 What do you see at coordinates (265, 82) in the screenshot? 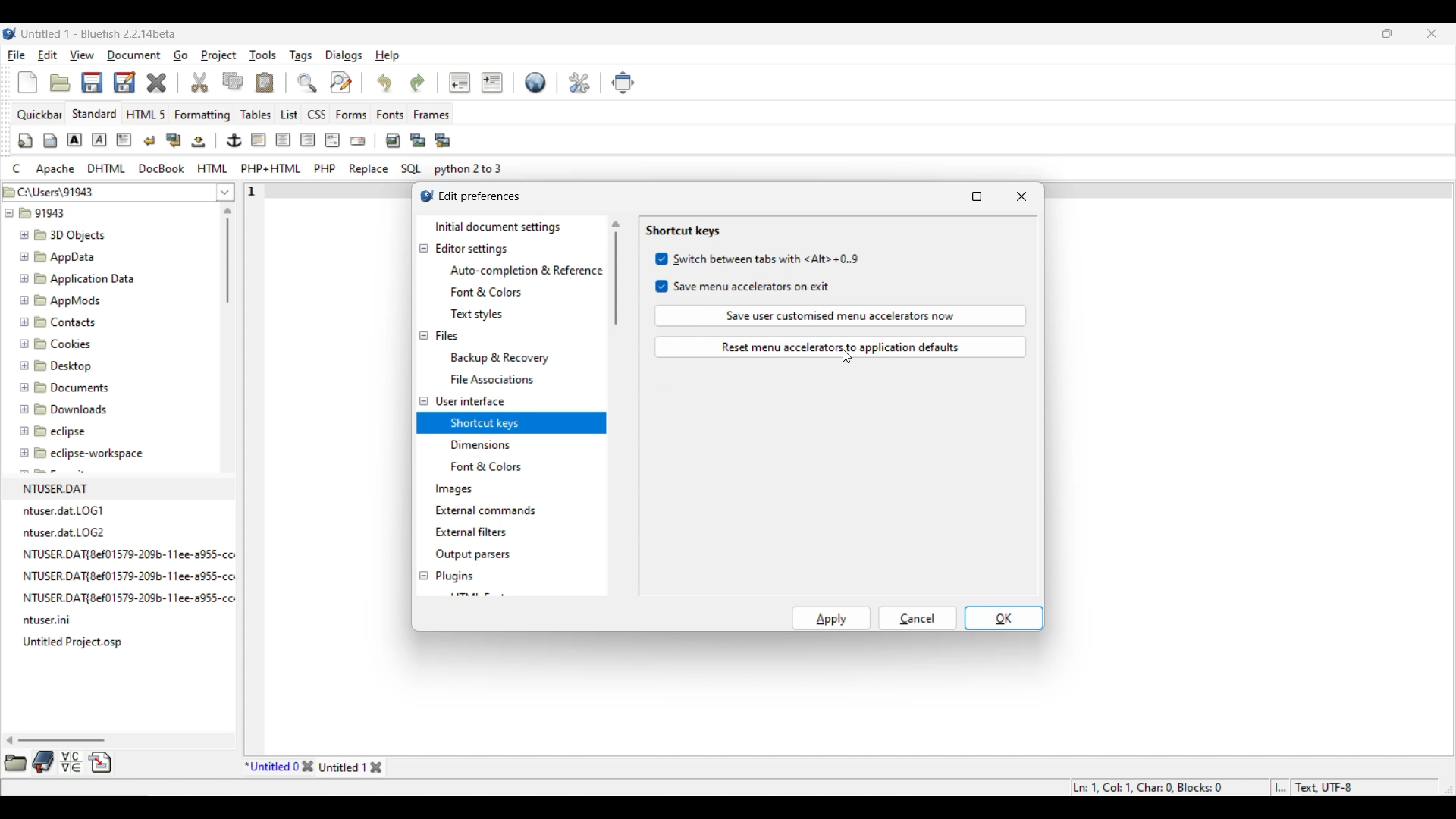
I see `Paste` at bounding box center [265, 82].